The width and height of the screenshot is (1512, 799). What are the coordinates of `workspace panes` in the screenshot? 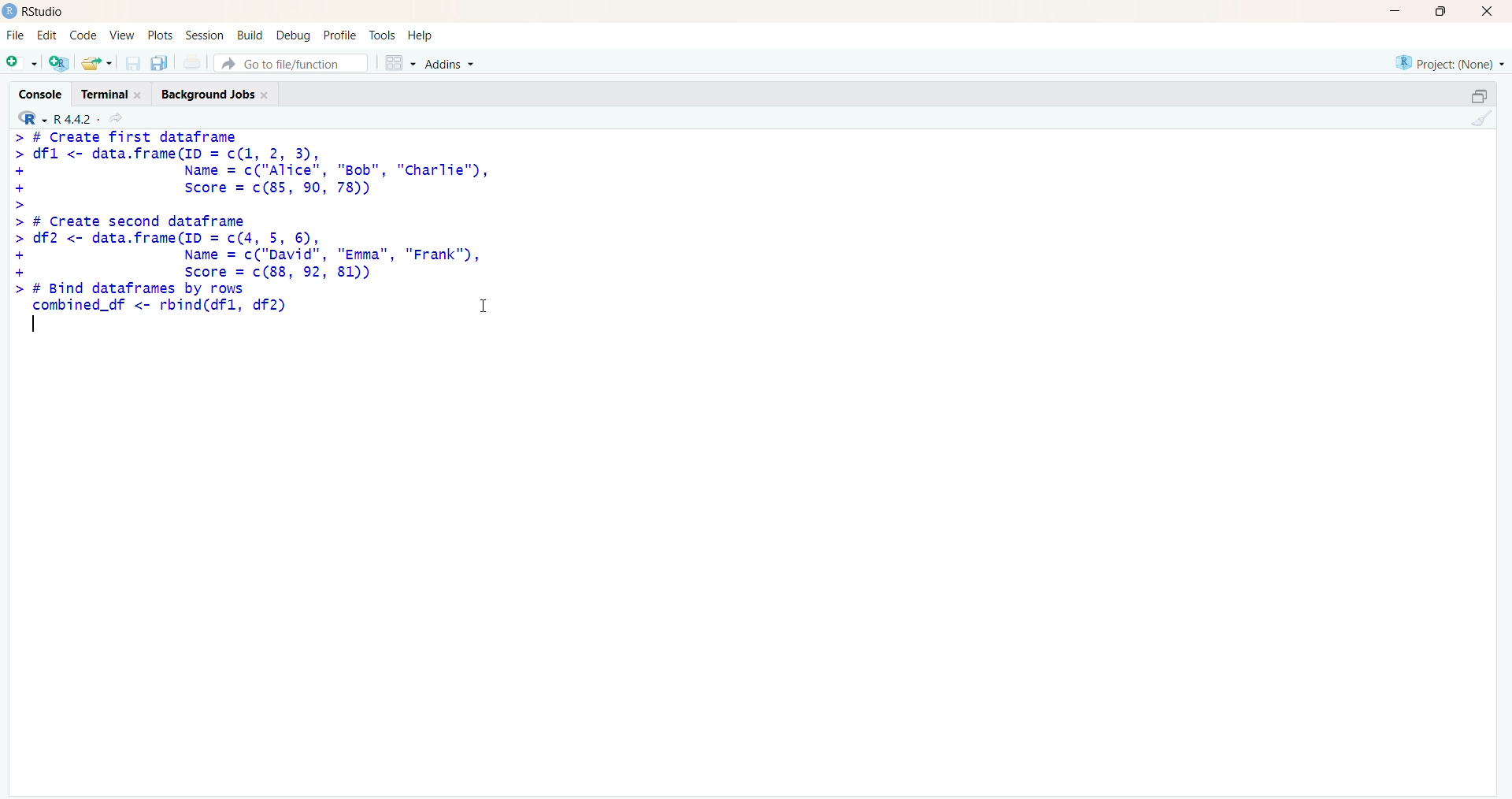 It's located at (399, 62).